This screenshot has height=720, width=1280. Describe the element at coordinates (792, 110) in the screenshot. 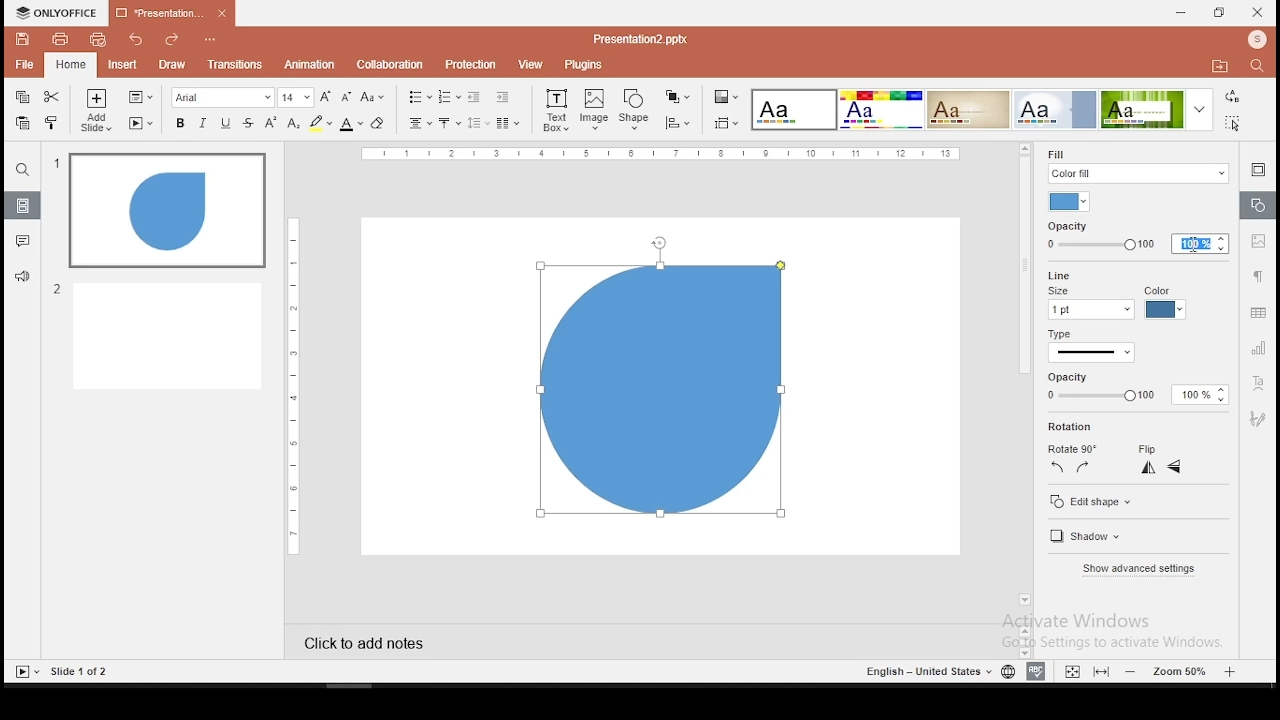

I see `theme` at that location.